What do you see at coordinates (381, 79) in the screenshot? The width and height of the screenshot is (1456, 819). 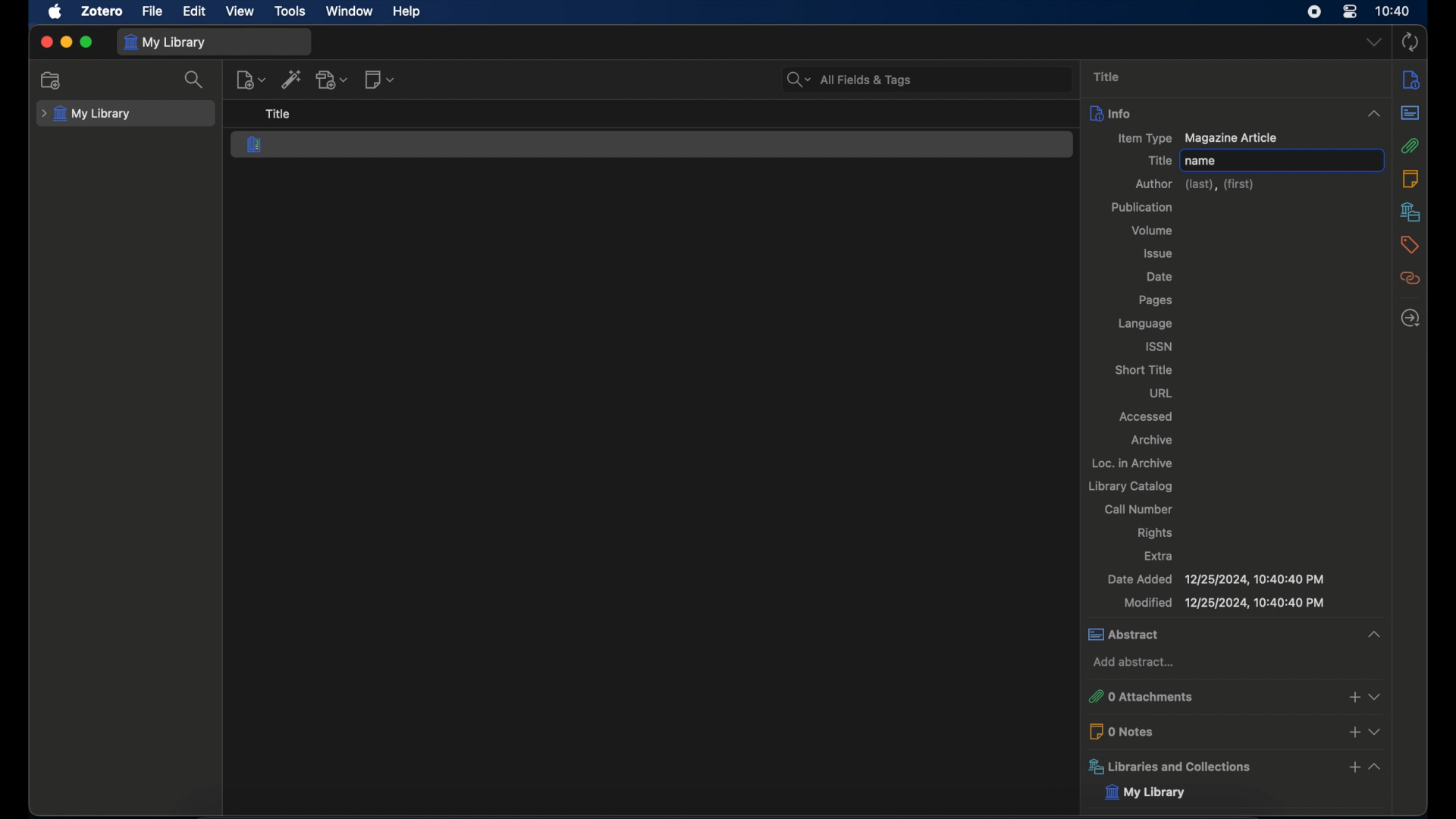 I see `new note` at bounding box center [381, 79].